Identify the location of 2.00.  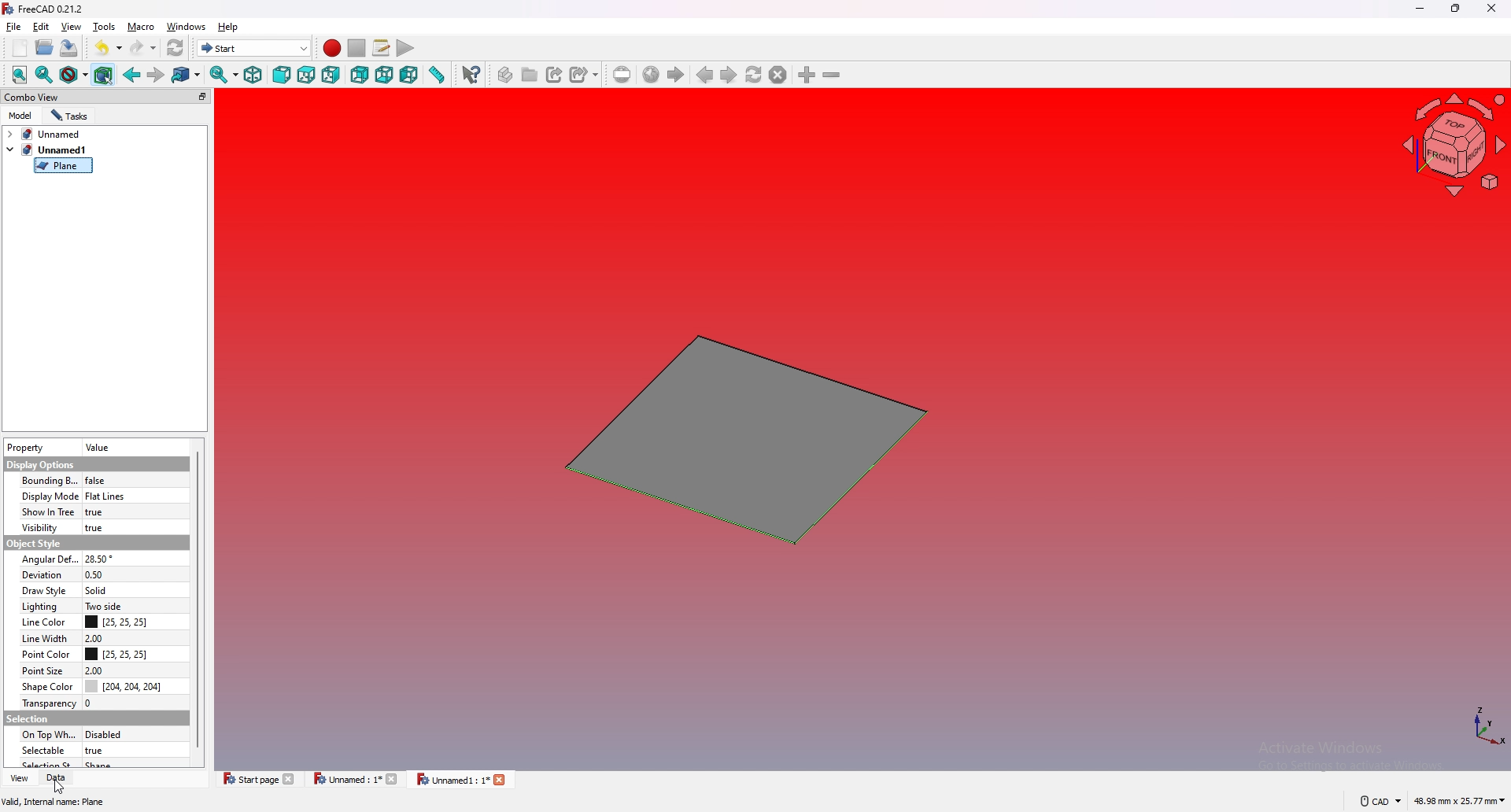
(98, 638).